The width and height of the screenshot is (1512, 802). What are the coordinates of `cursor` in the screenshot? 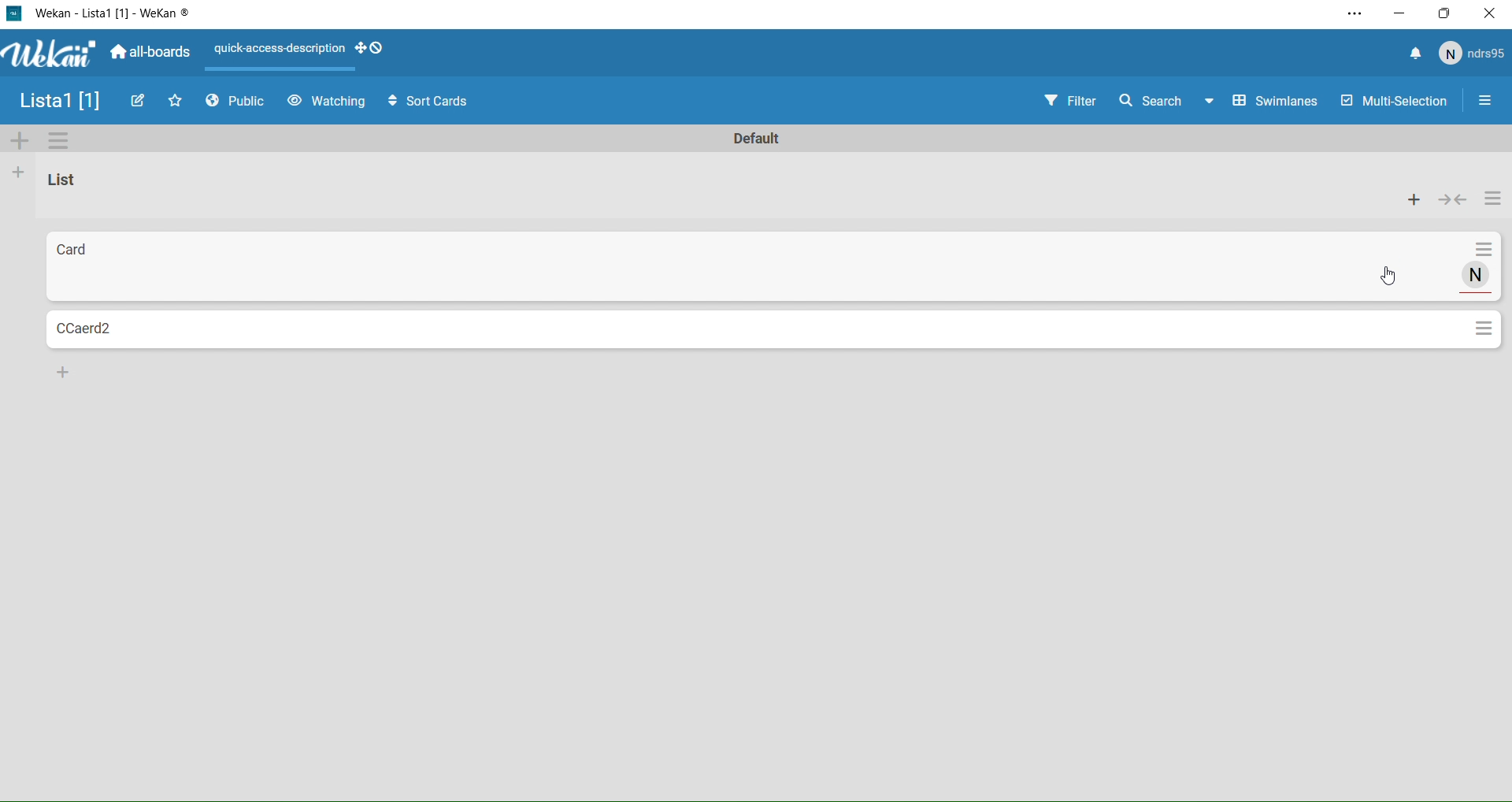 It's located at (1395, 276).